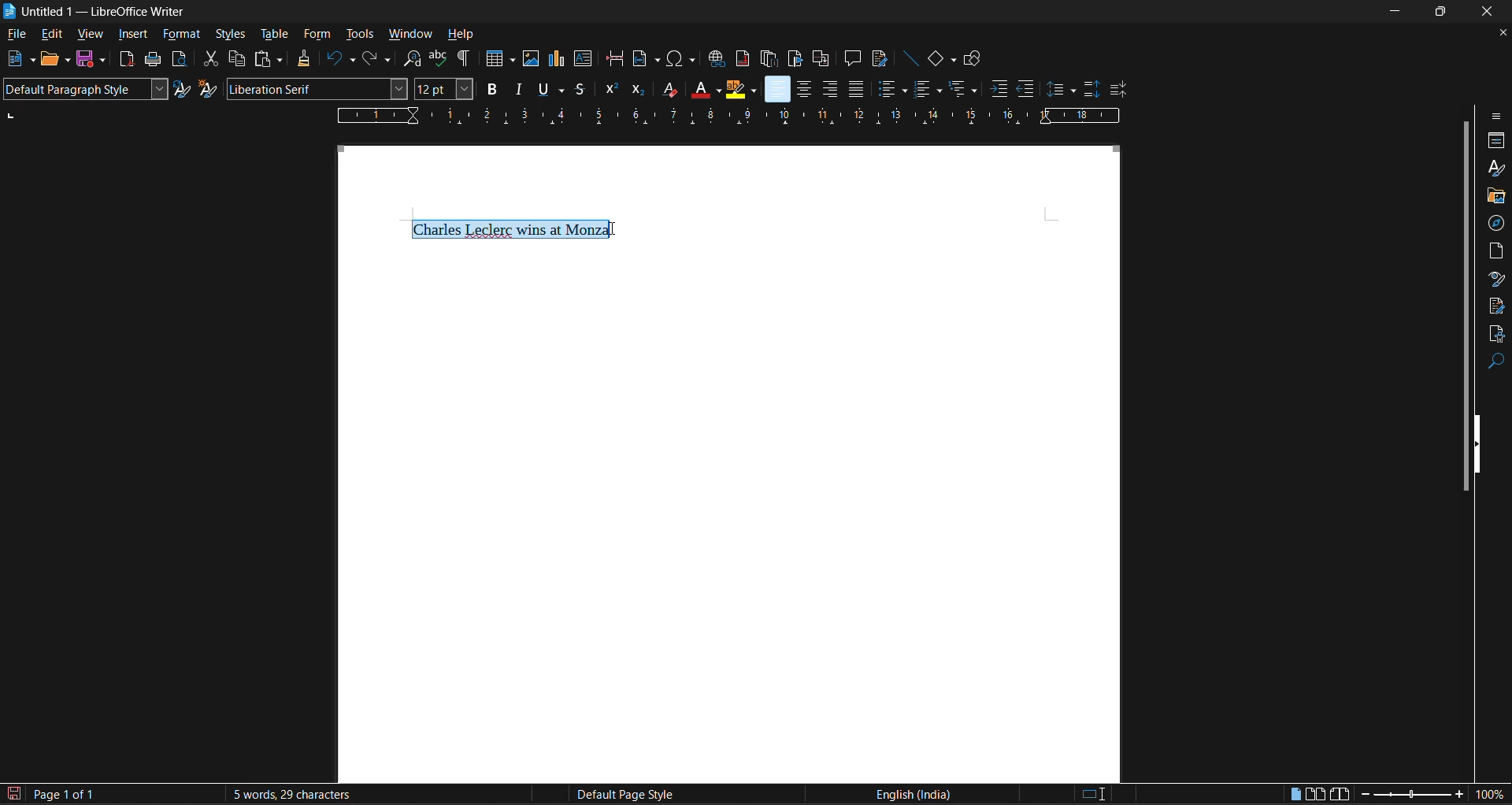 Image resolution: width=1512 pixels, height=805 pixels. I want to click on open, so click(58, 61).